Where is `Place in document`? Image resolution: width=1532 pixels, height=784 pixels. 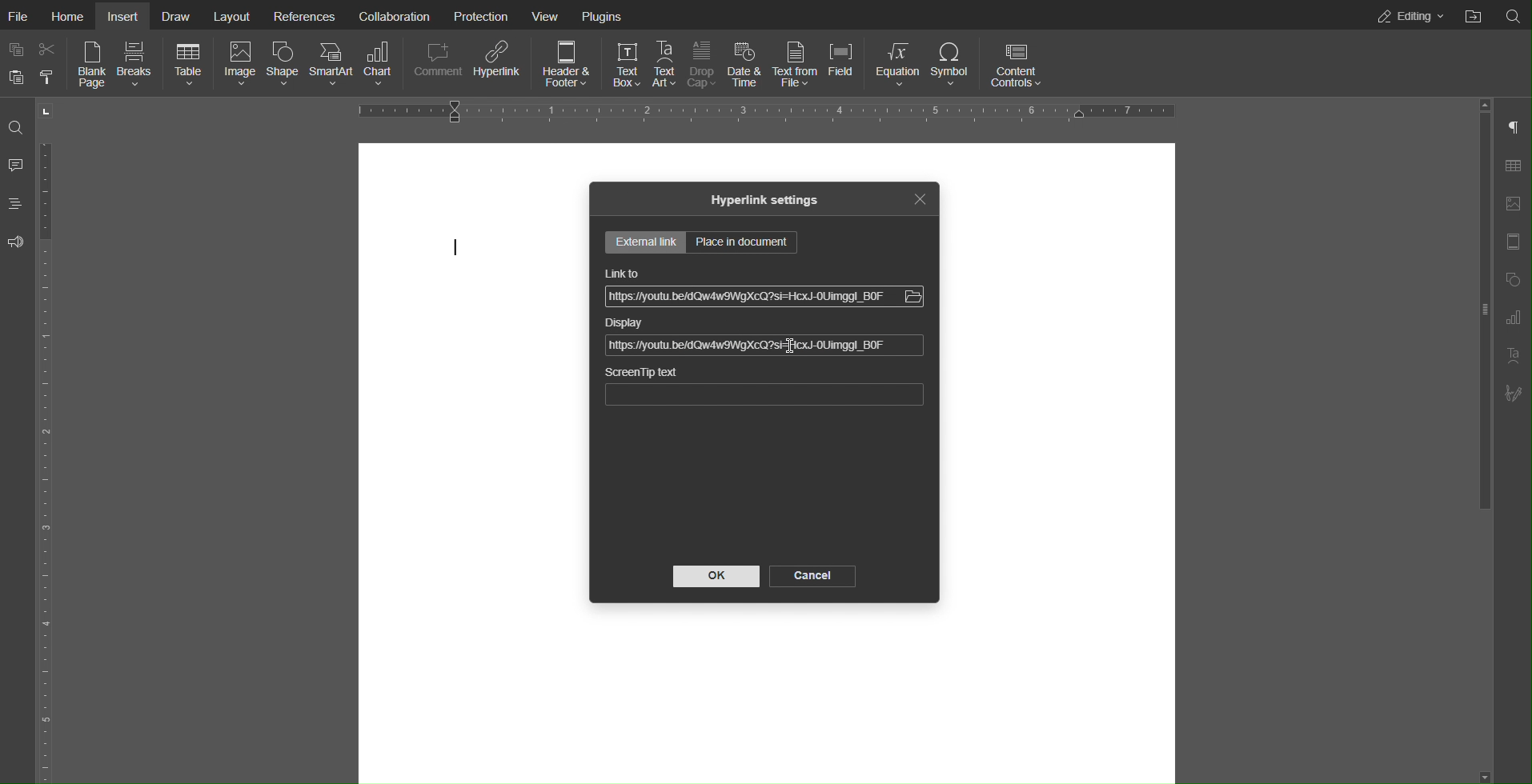
Place in document is located at coordinates (744, 242).